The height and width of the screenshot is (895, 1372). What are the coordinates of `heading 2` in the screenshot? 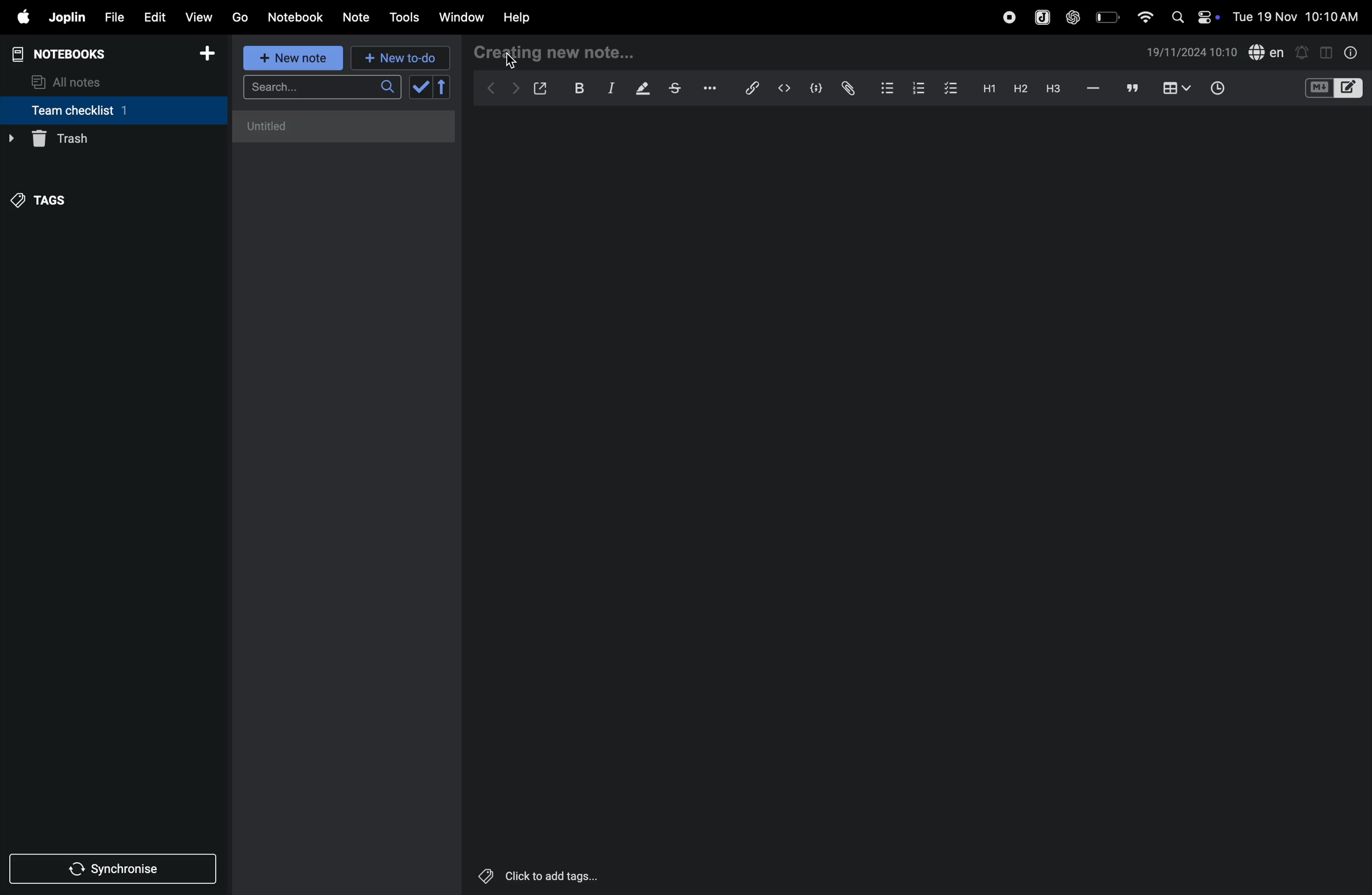 It's located at (1017, 88).